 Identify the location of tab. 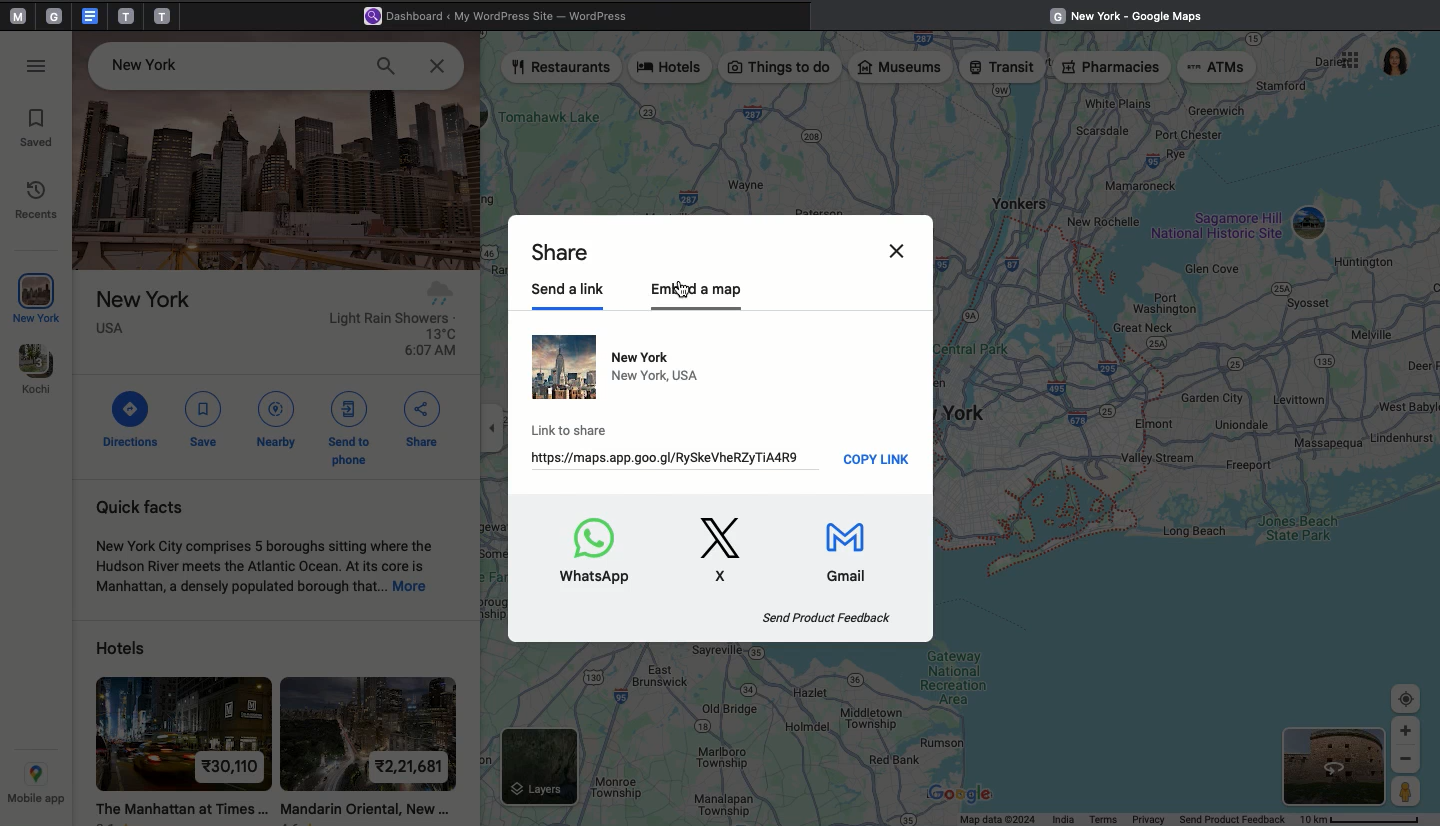
(164, 15).